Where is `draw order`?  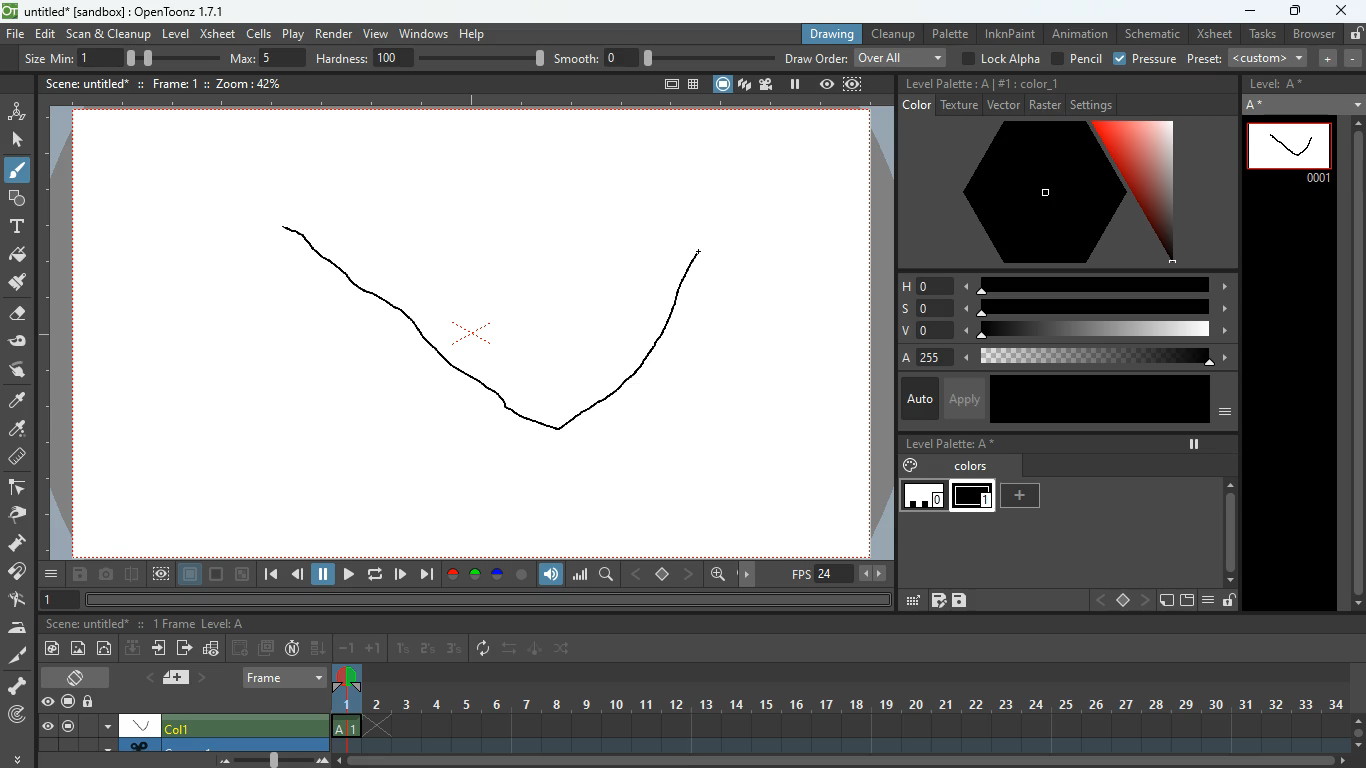
draw order is located at coordinates (866, 57).